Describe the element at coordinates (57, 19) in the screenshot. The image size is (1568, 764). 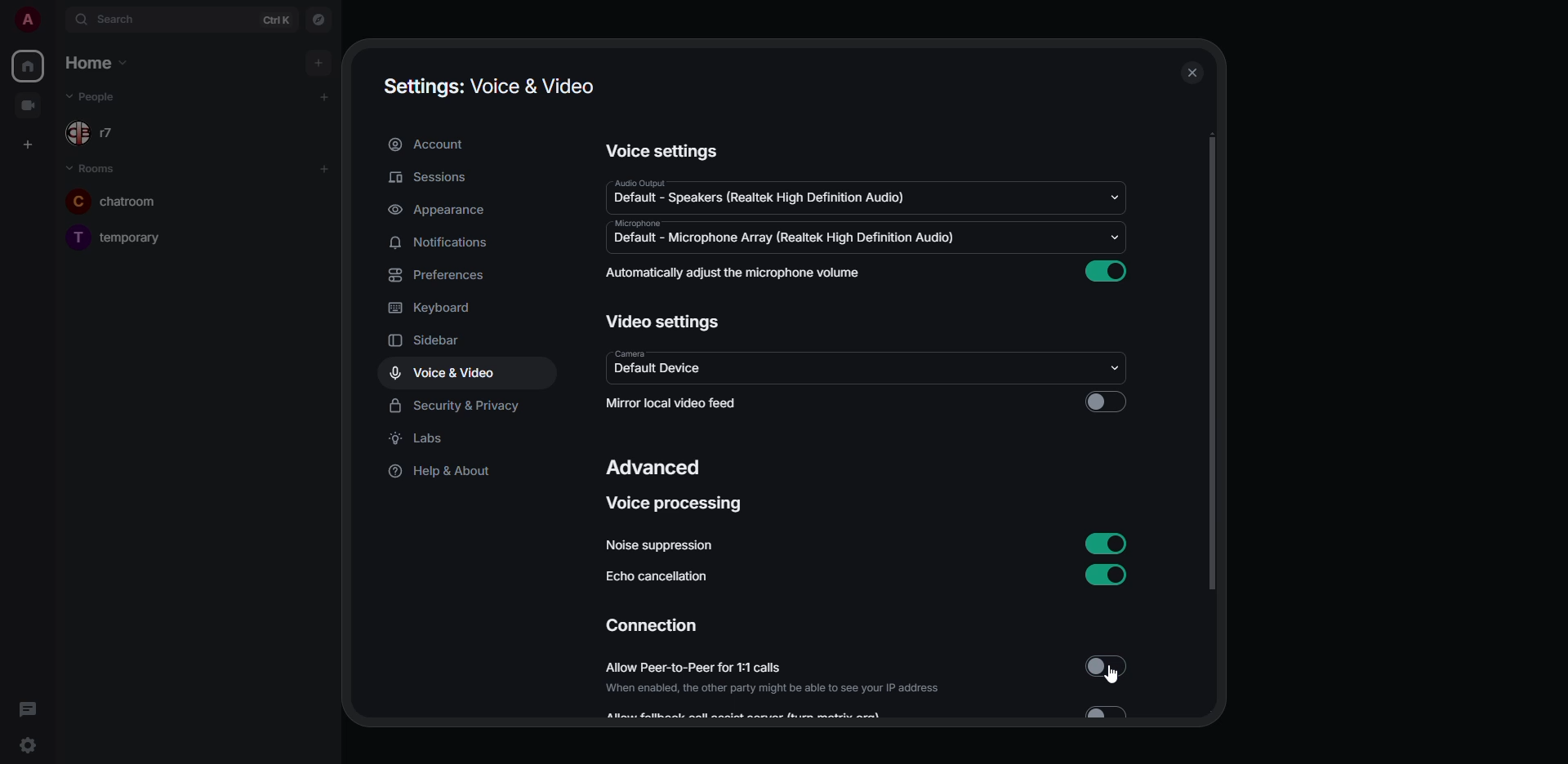
I see `expand` at that location.